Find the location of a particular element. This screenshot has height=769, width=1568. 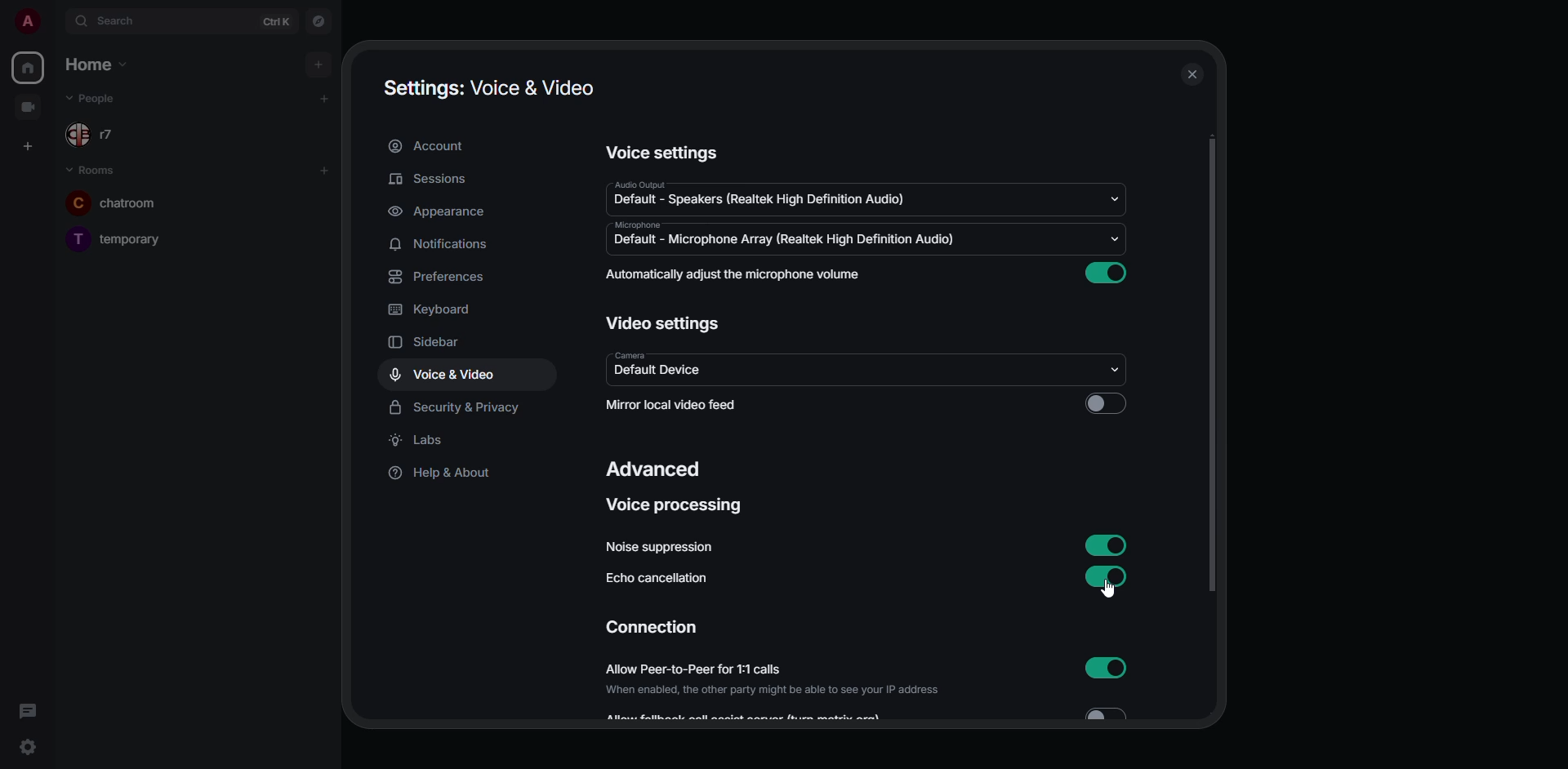

profile is located at coordinates (30, 20).